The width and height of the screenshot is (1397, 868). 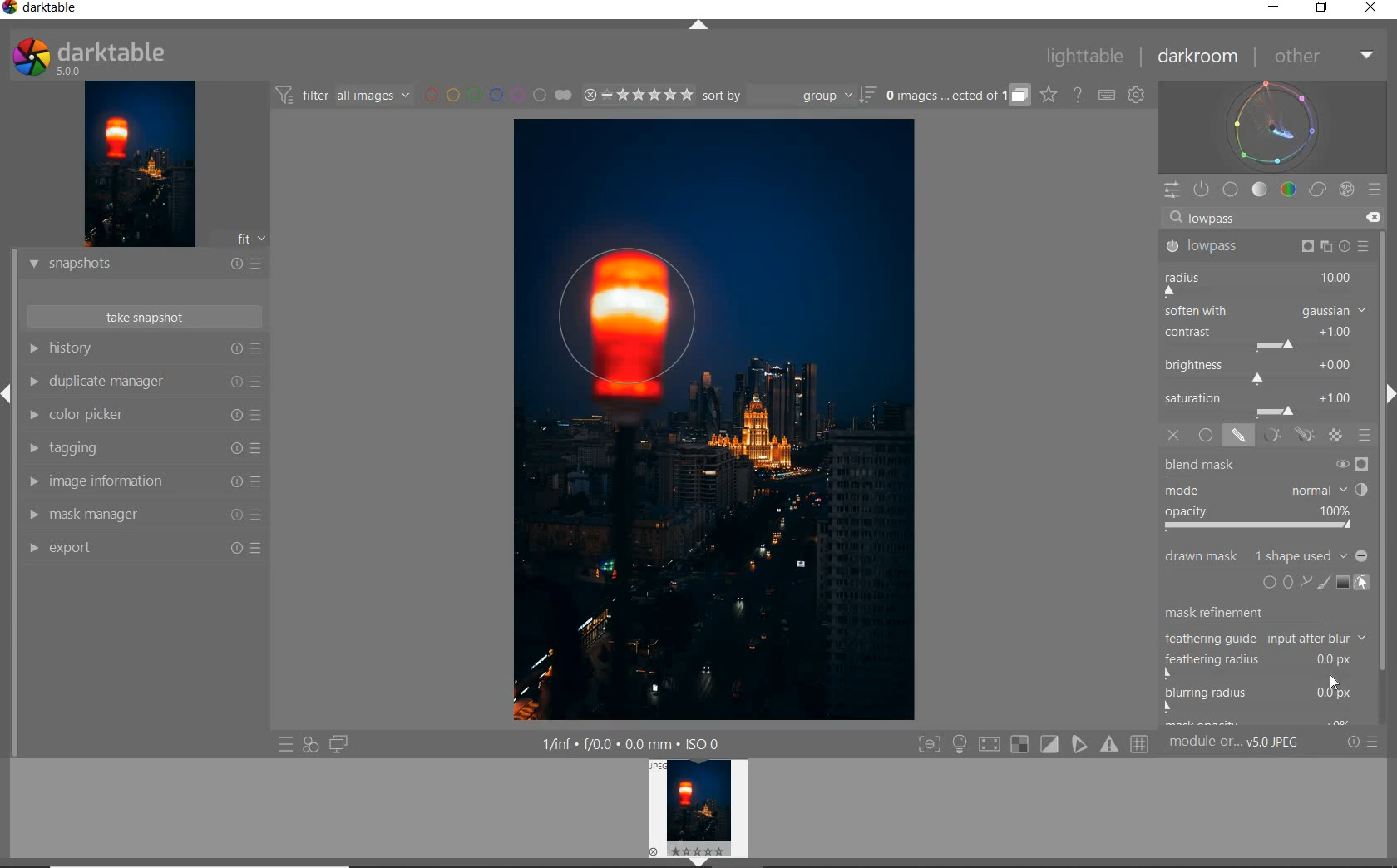 I want to click on FILTER IMAGES BASED ON THEIR MODULE ORDER, so click(x=345, y=96).